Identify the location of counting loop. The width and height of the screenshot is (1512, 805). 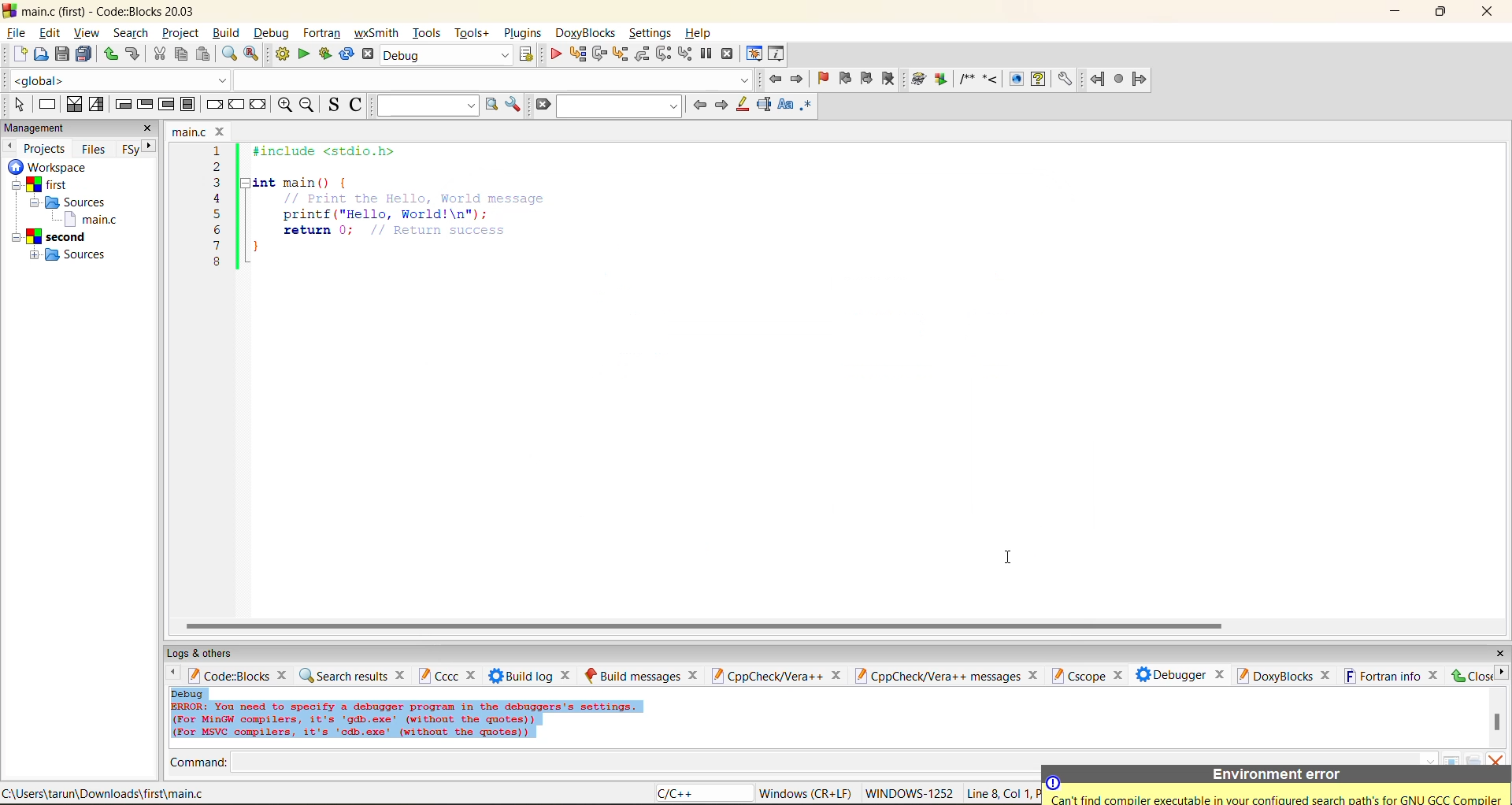
(167, 106).